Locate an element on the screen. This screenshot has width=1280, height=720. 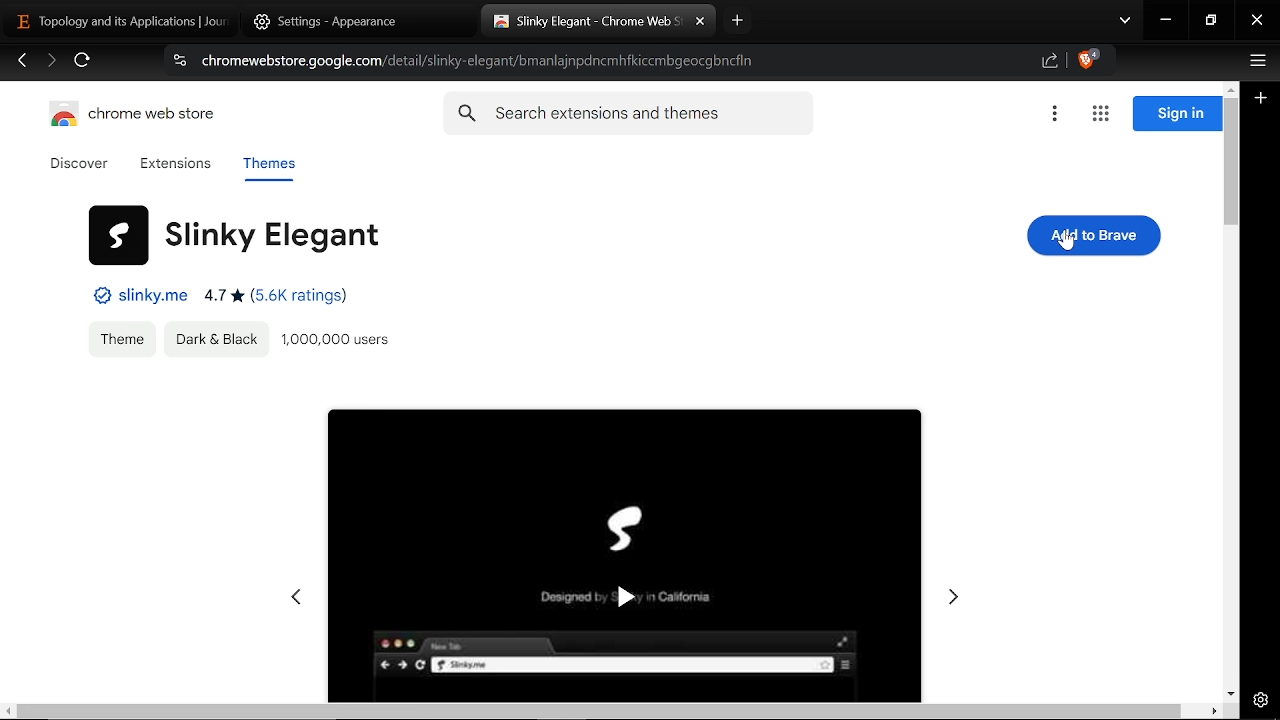
Discover is located at coordinates (82, 164).